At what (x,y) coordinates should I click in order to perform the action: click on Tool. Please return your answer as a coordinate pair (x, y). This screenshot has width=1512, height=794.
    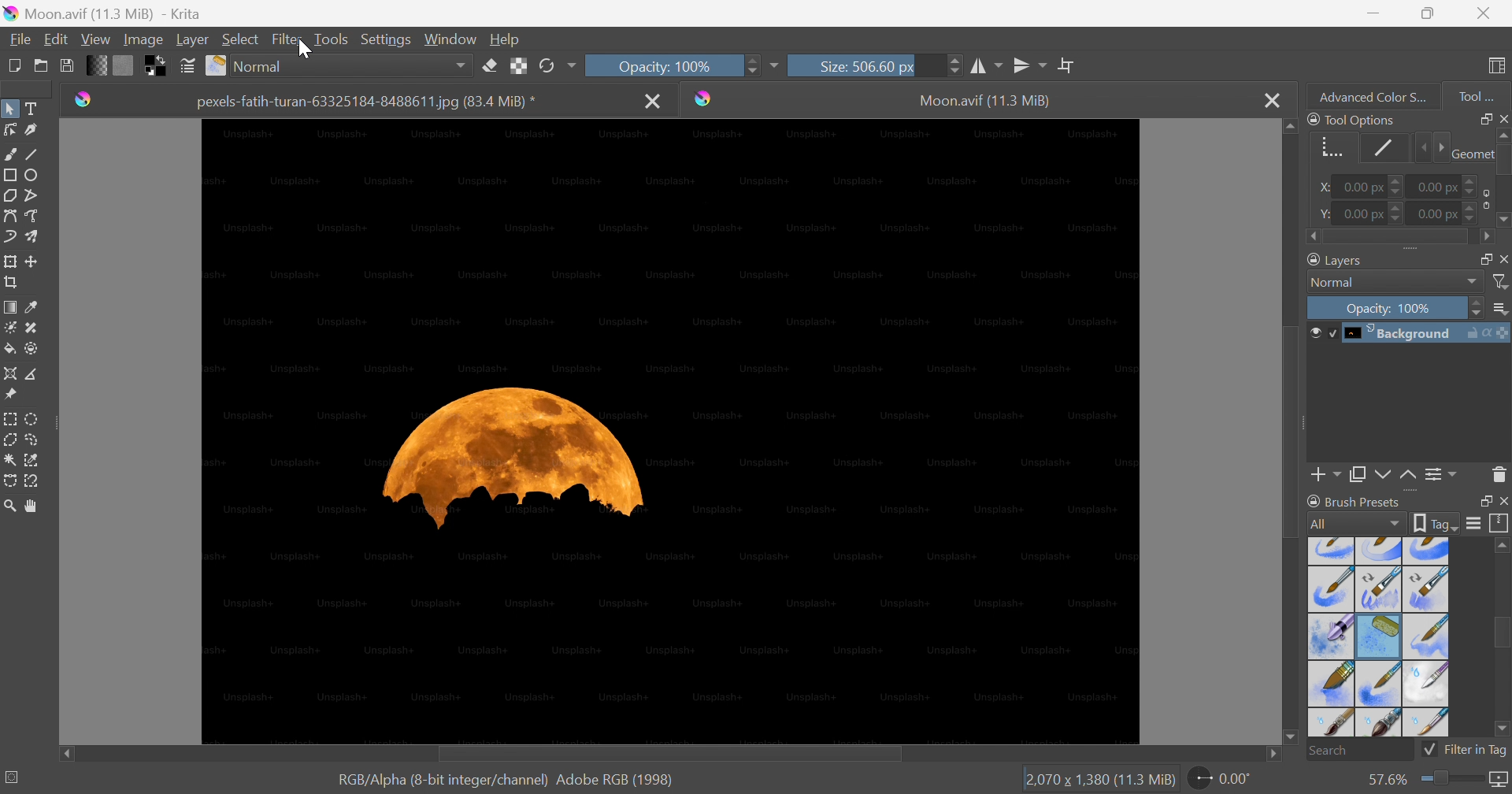
    Looking at the image, I should click on (1477, 97).